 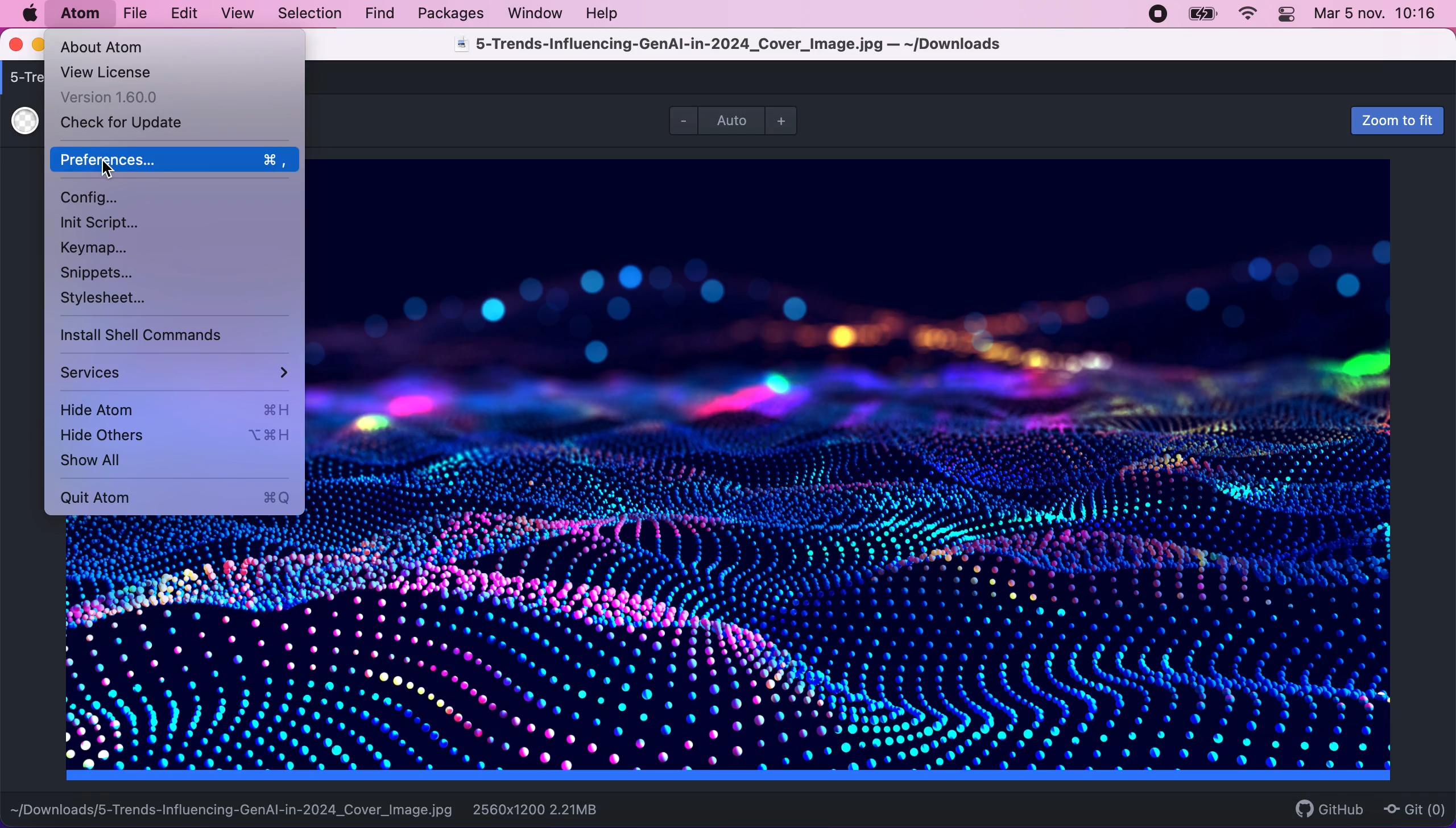 I want to click on view, so click(x=234, y=14).